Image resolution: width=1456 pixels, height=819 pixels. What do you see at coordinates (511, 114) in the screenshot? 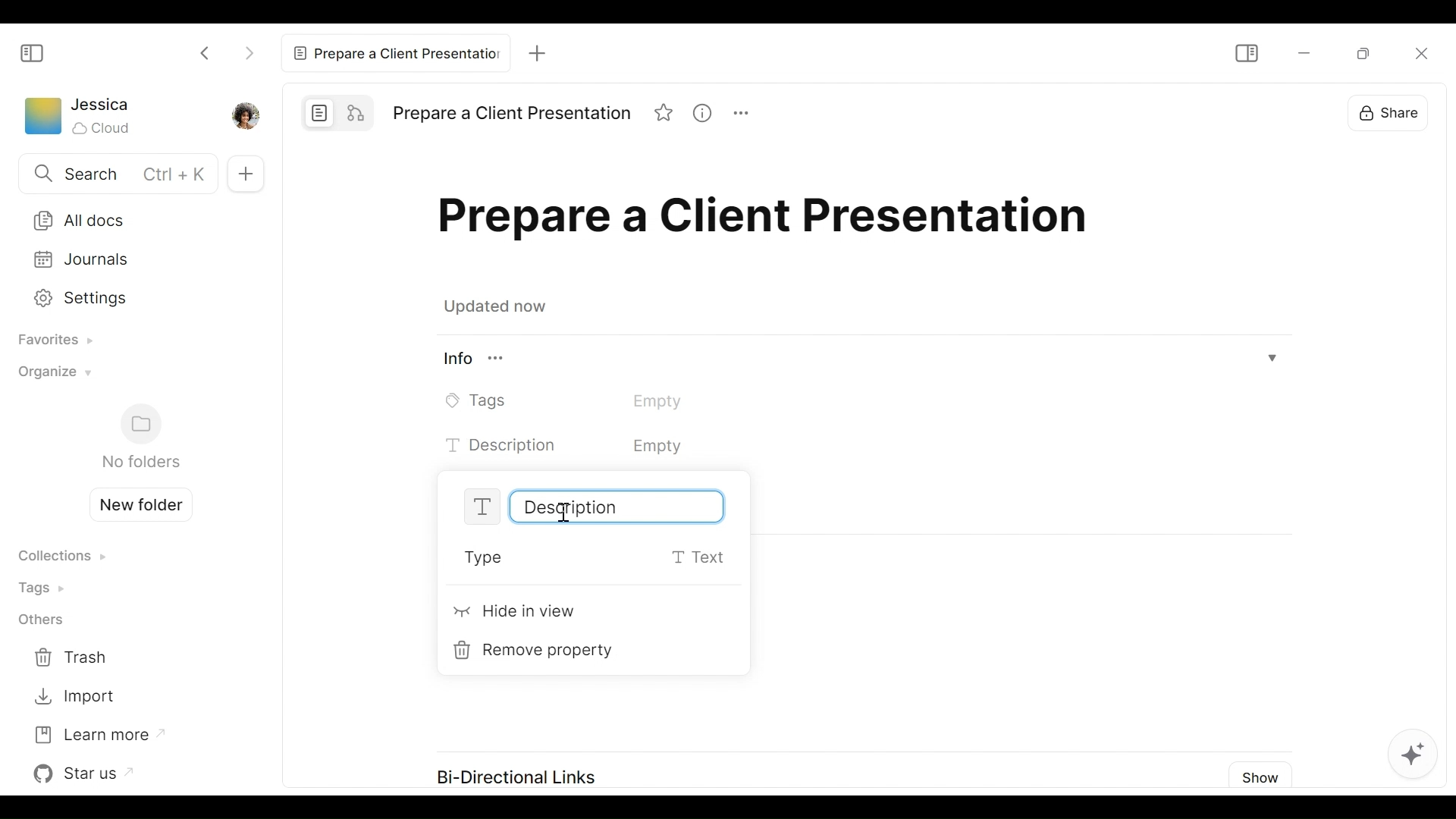
I see `Title` at bounding box center [511, 114].